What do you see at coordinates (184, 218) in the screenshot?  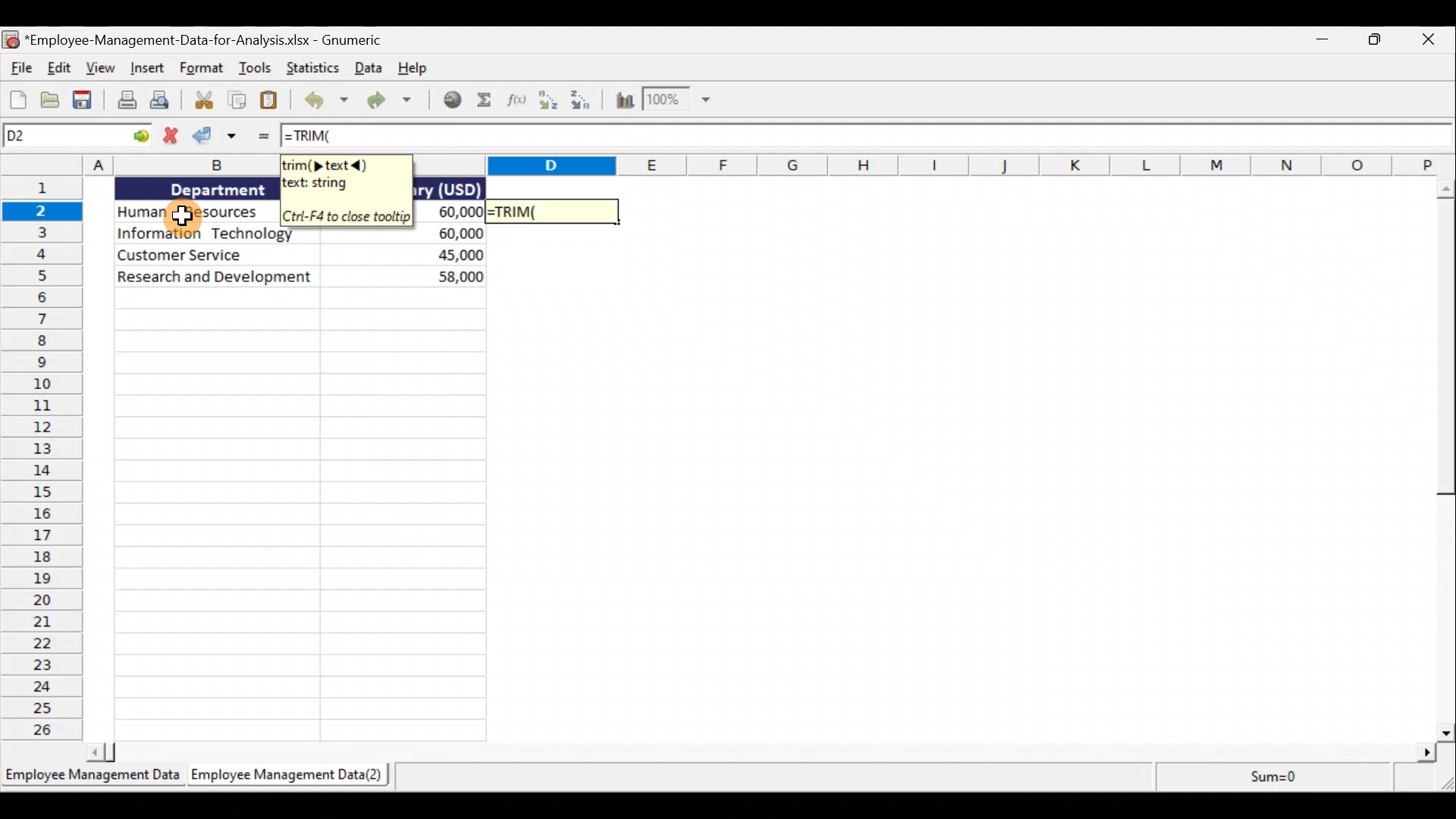 I see `Cursor` at bounding box center [184, 218].